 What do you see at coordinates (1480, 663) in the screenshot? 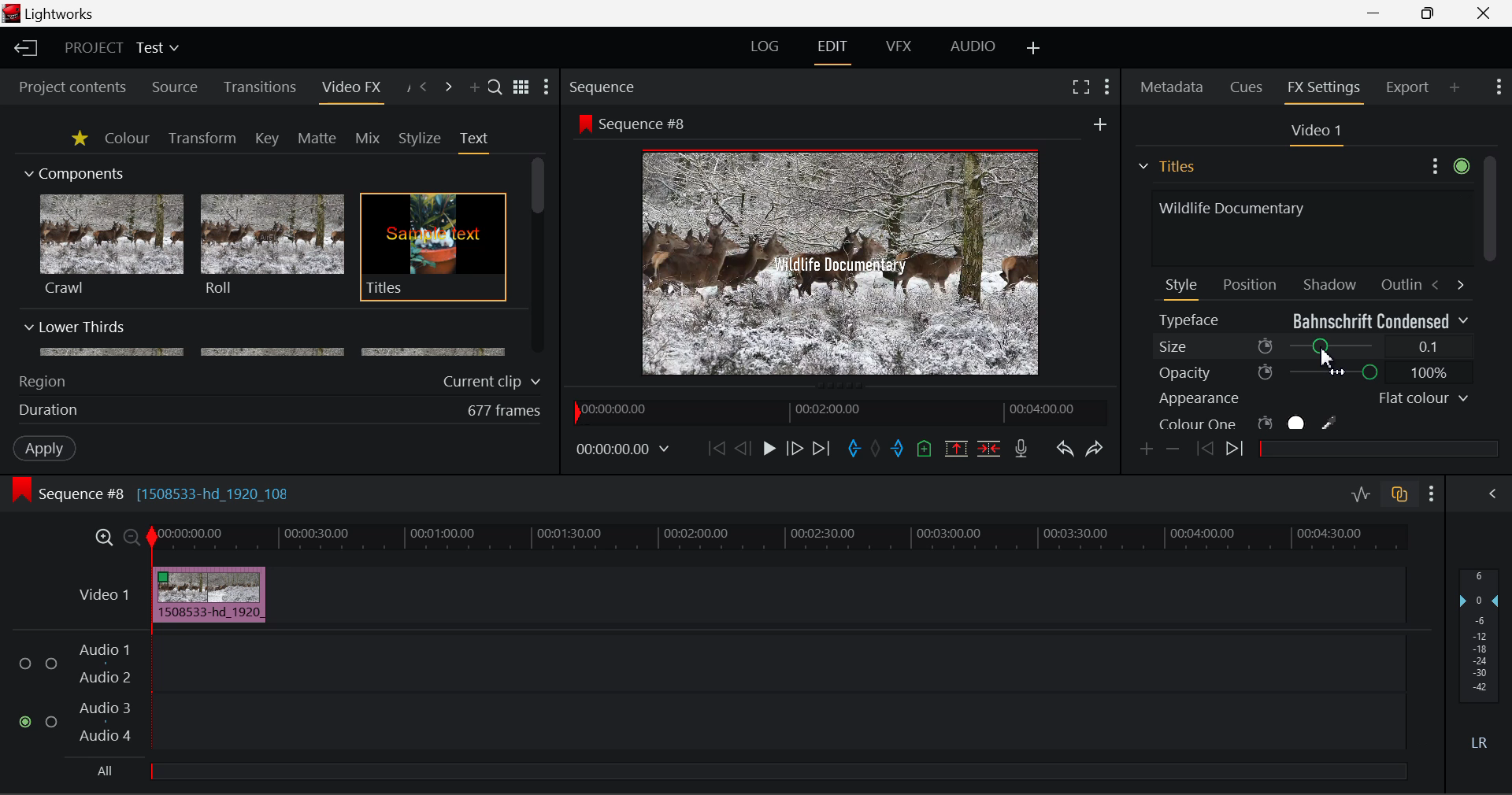
I see `Decibel Level` at bounding box center [1480, 663].